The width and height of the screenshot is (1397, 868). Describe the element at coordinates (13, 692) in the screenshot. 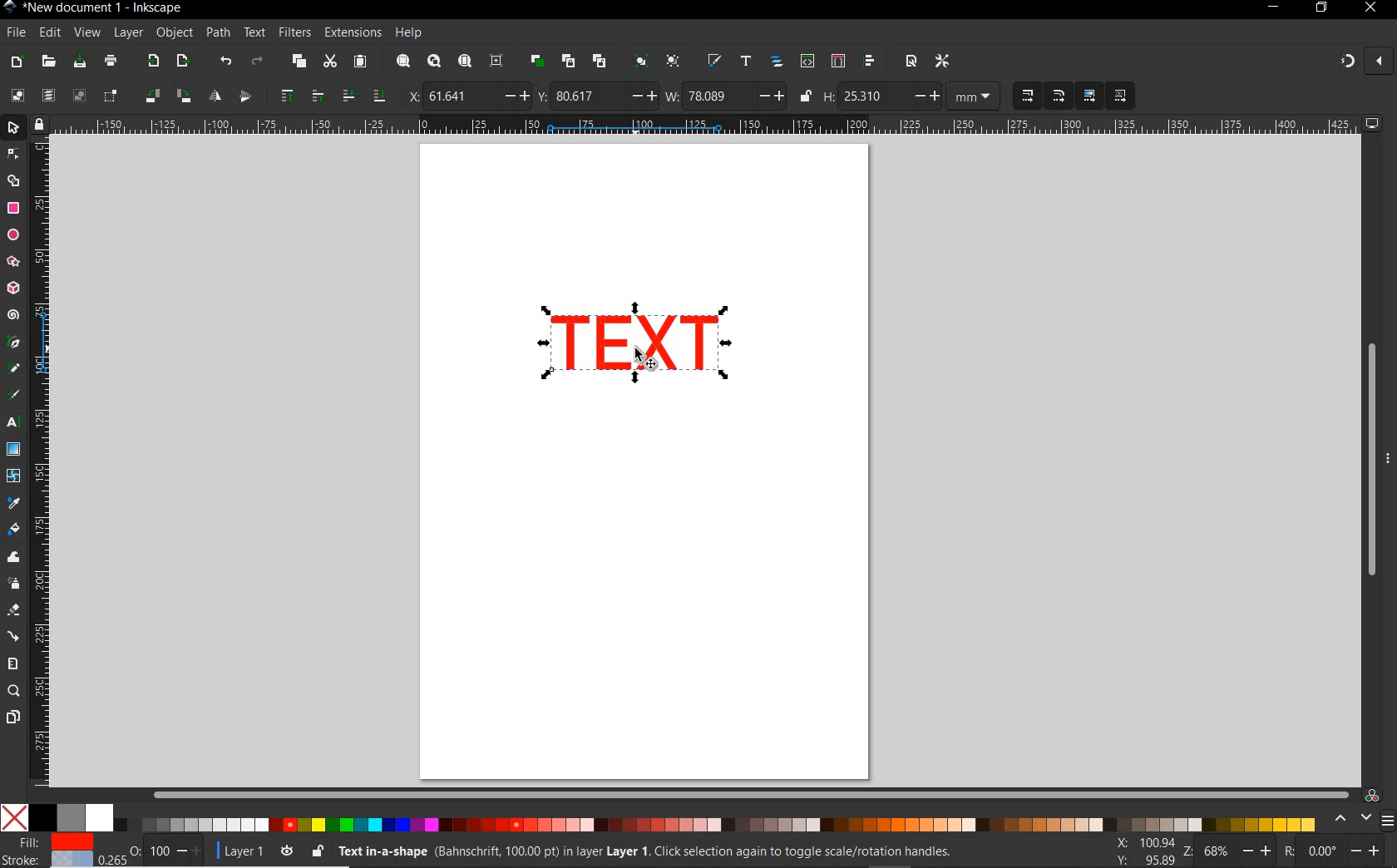

I see `zoom tool` at that location.